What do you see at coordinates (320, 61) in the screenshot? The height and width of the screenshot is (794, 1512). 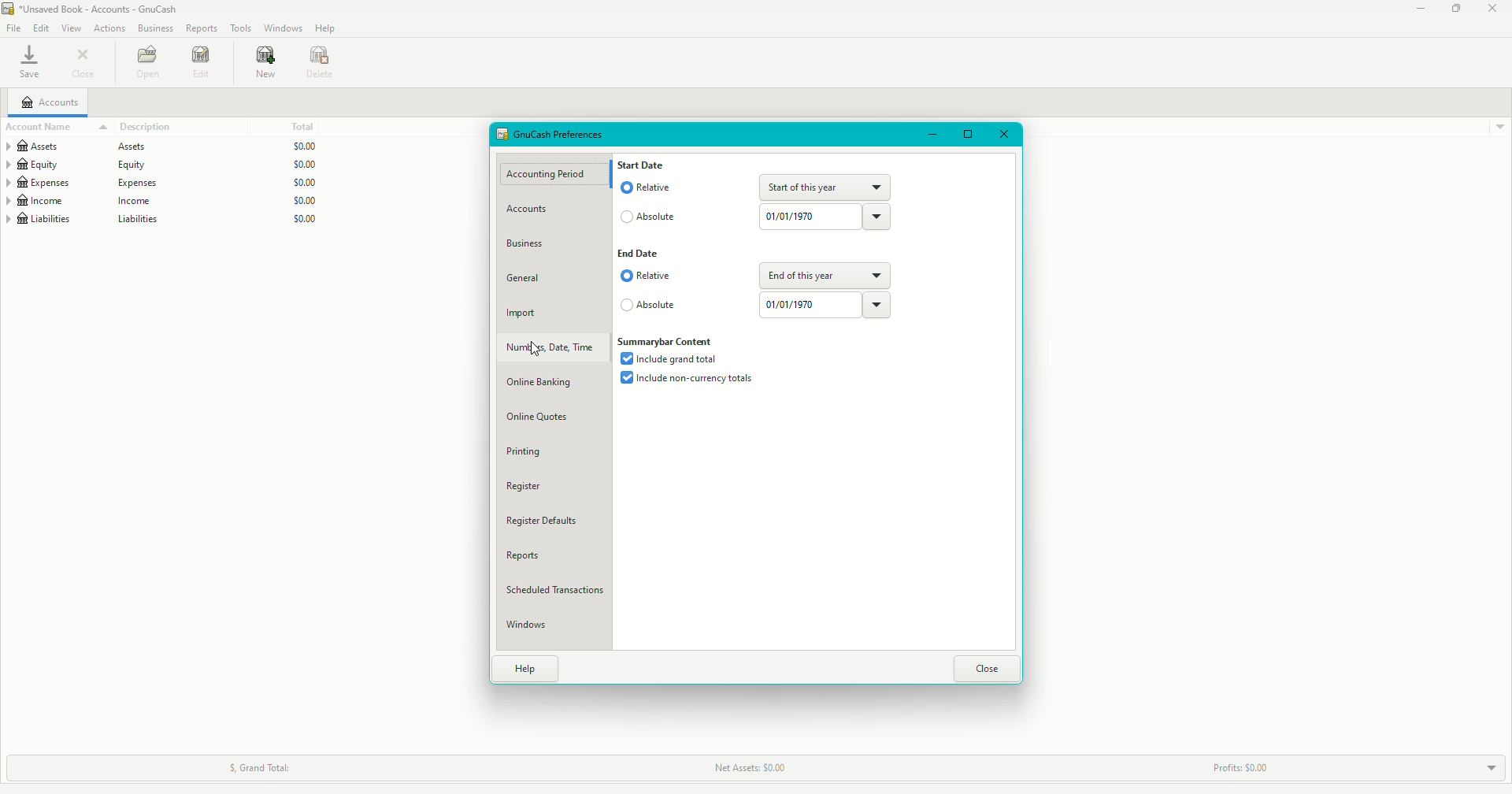 I see `Delete` at bounding box center [320, 61].